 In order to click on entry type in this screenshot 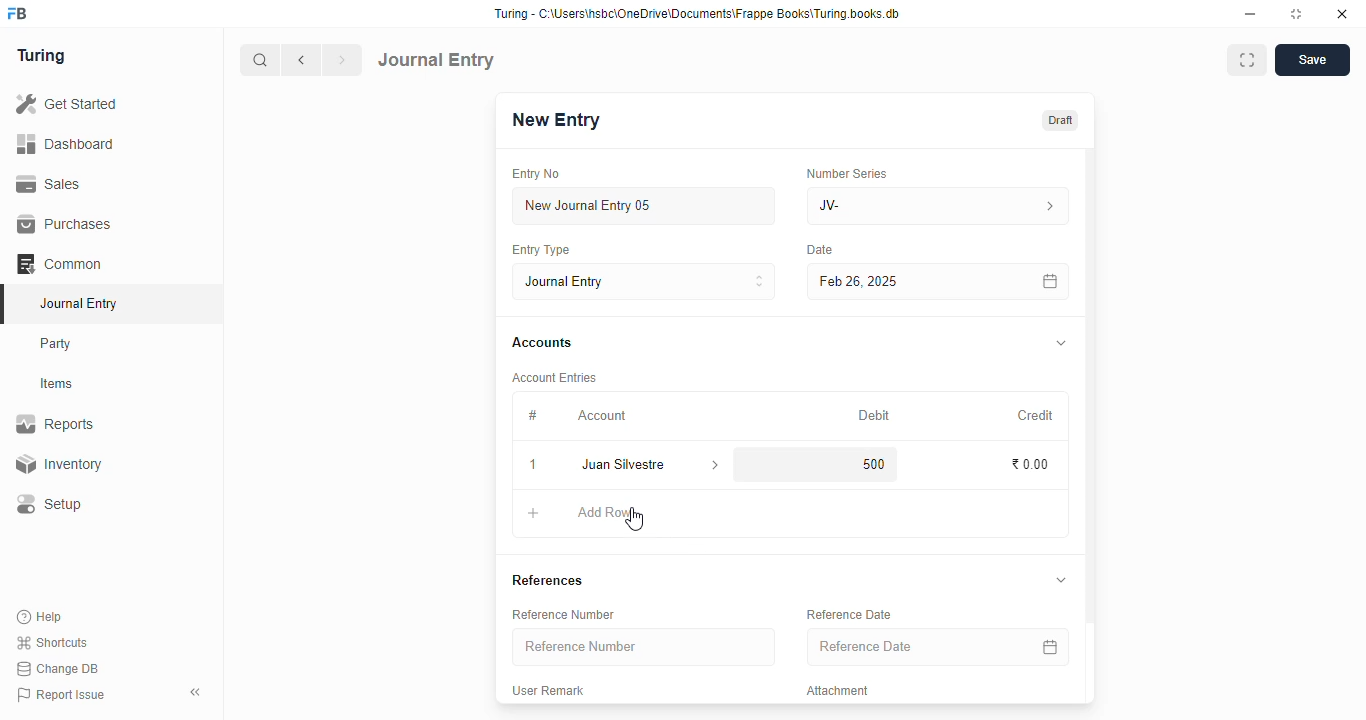, I will do `click(541, 250)`.